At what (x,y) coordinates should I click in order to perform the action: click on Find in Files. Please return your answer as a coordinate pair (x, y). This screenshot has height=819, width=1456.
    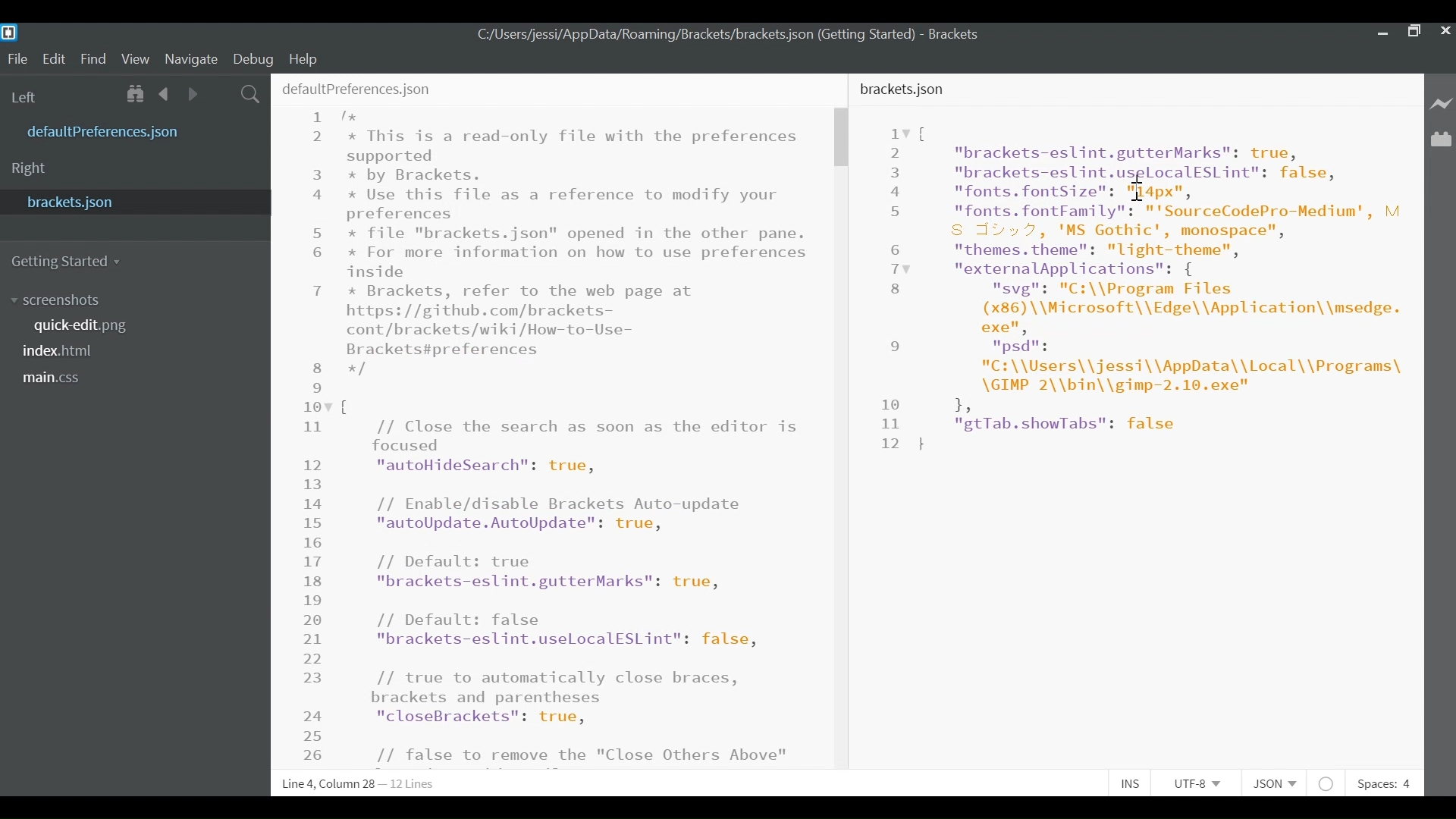
    Looking at the image, I should click on (252, 96).